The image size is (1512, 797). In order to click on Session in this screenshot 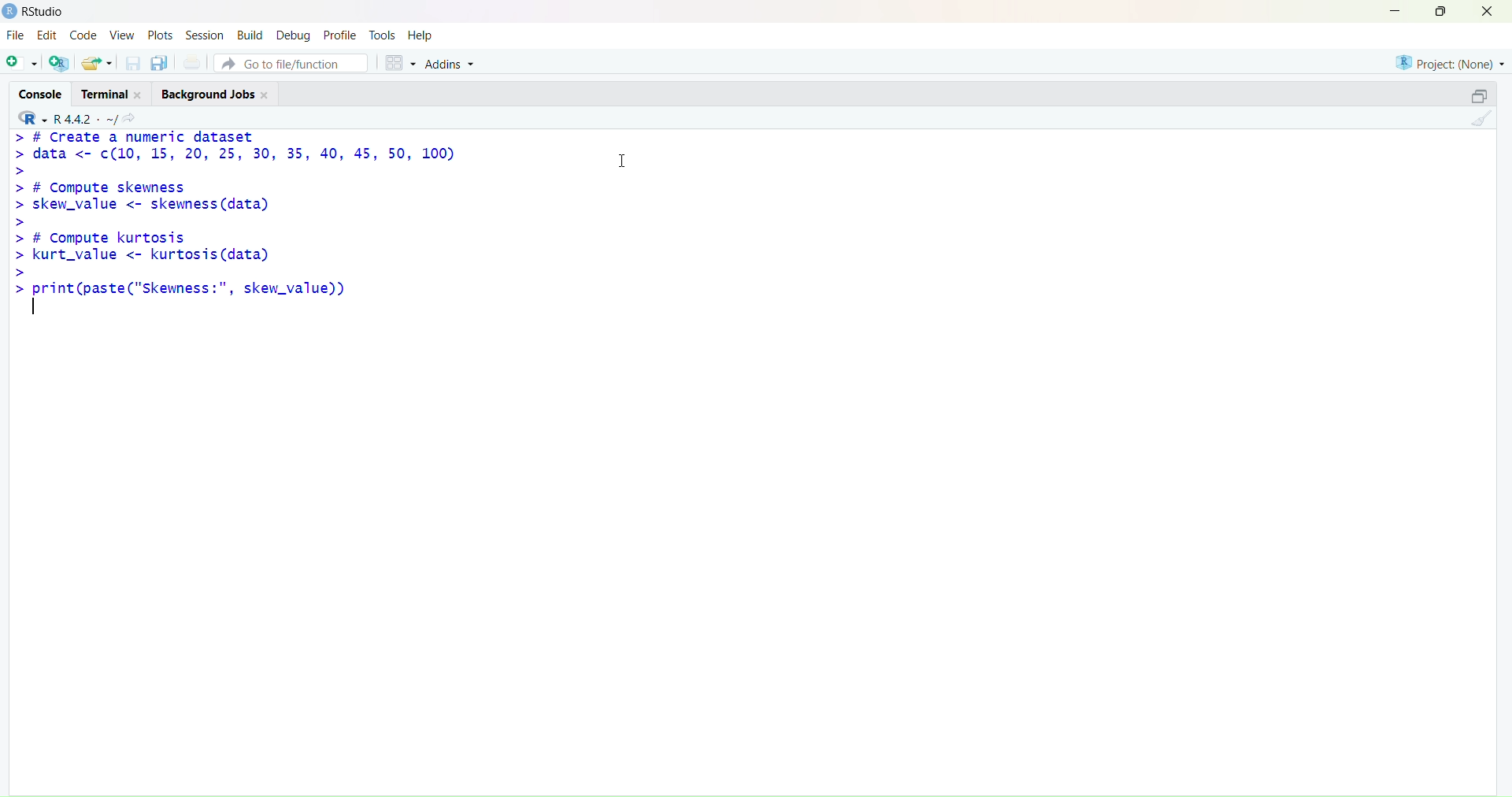, I will do `click(206, 35)`.